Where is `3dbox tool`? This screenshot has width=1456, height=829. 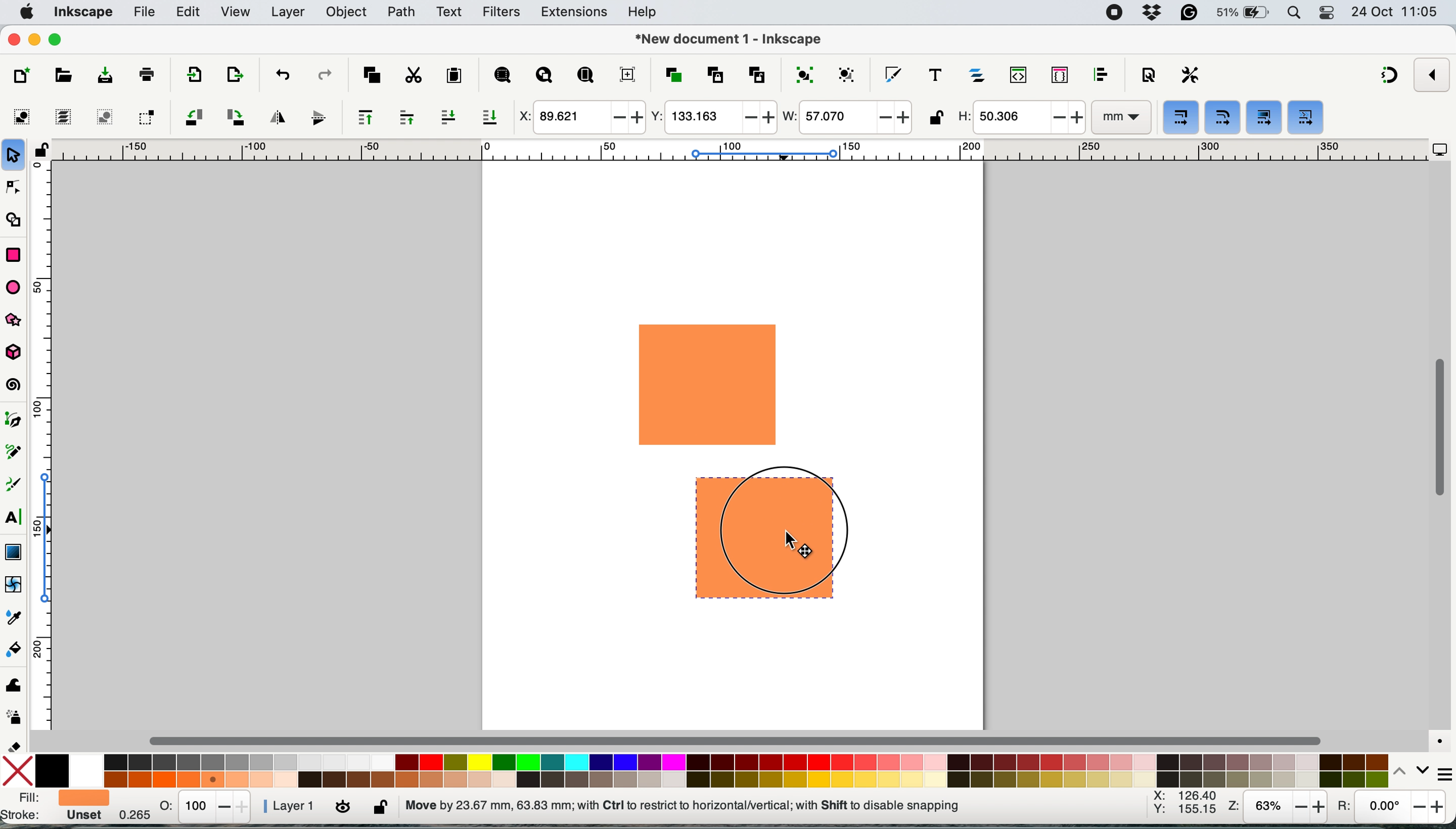 3dbox tool is located at coordinates (19, 353).